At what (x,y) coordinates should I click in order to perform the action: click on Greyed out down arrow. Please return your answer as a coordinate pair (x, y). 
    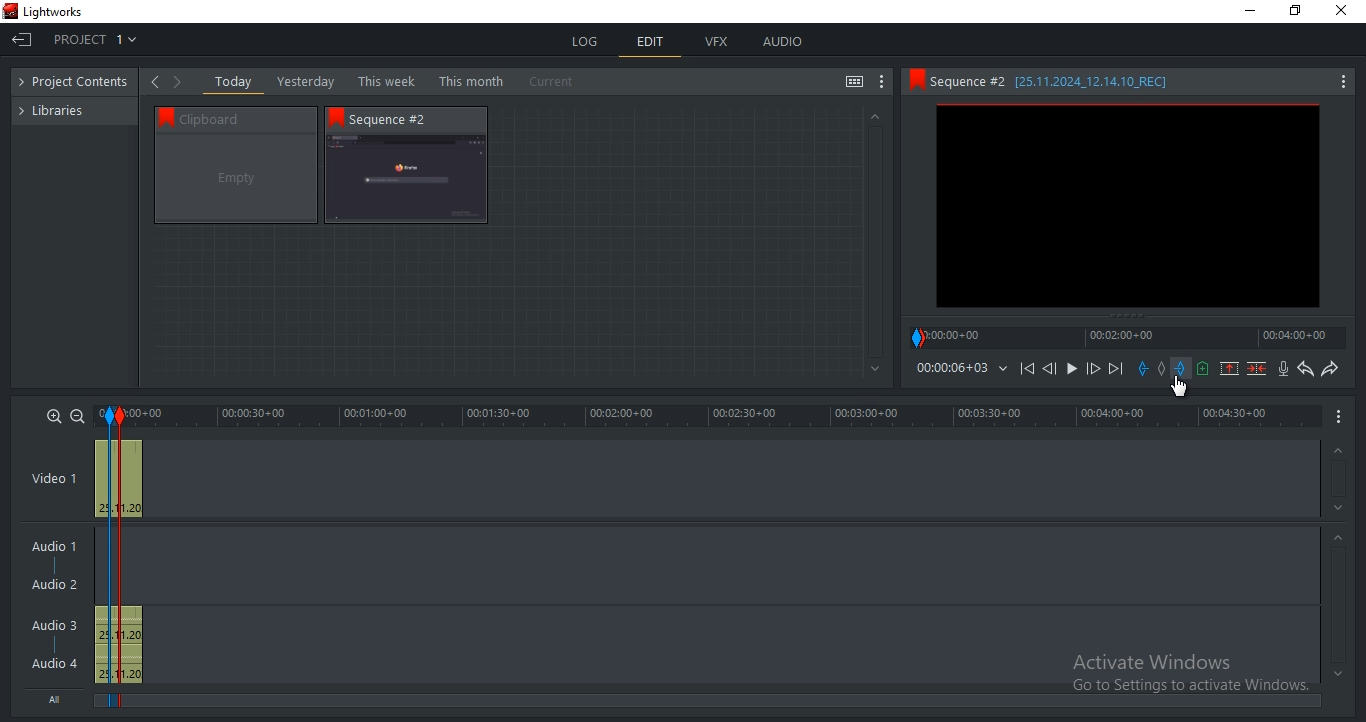
    Looking at the image, I should click on (1341, 511).